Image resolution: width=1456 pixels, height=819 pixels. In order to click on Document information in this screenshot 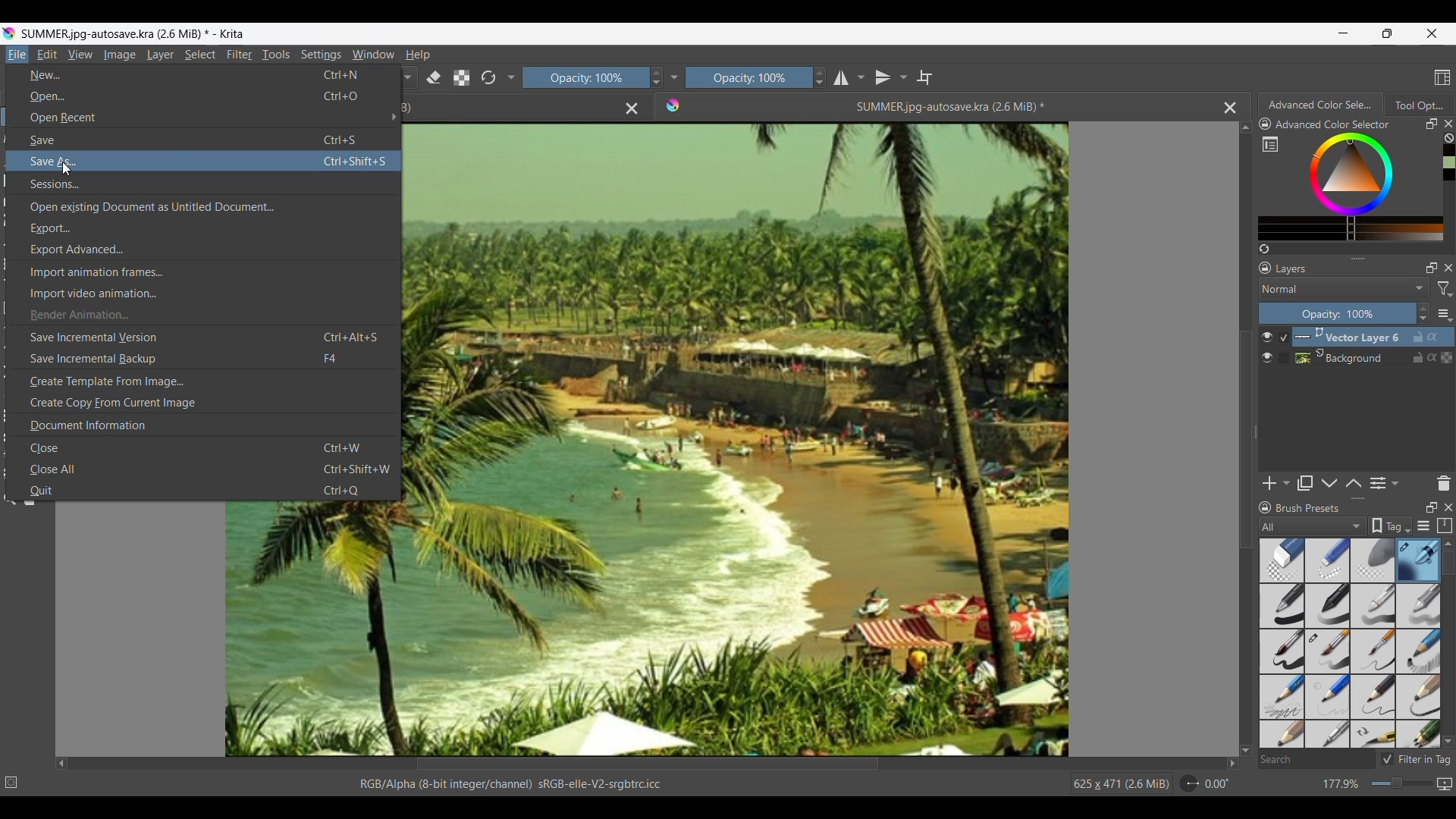, I will do `click(202, 425)`.